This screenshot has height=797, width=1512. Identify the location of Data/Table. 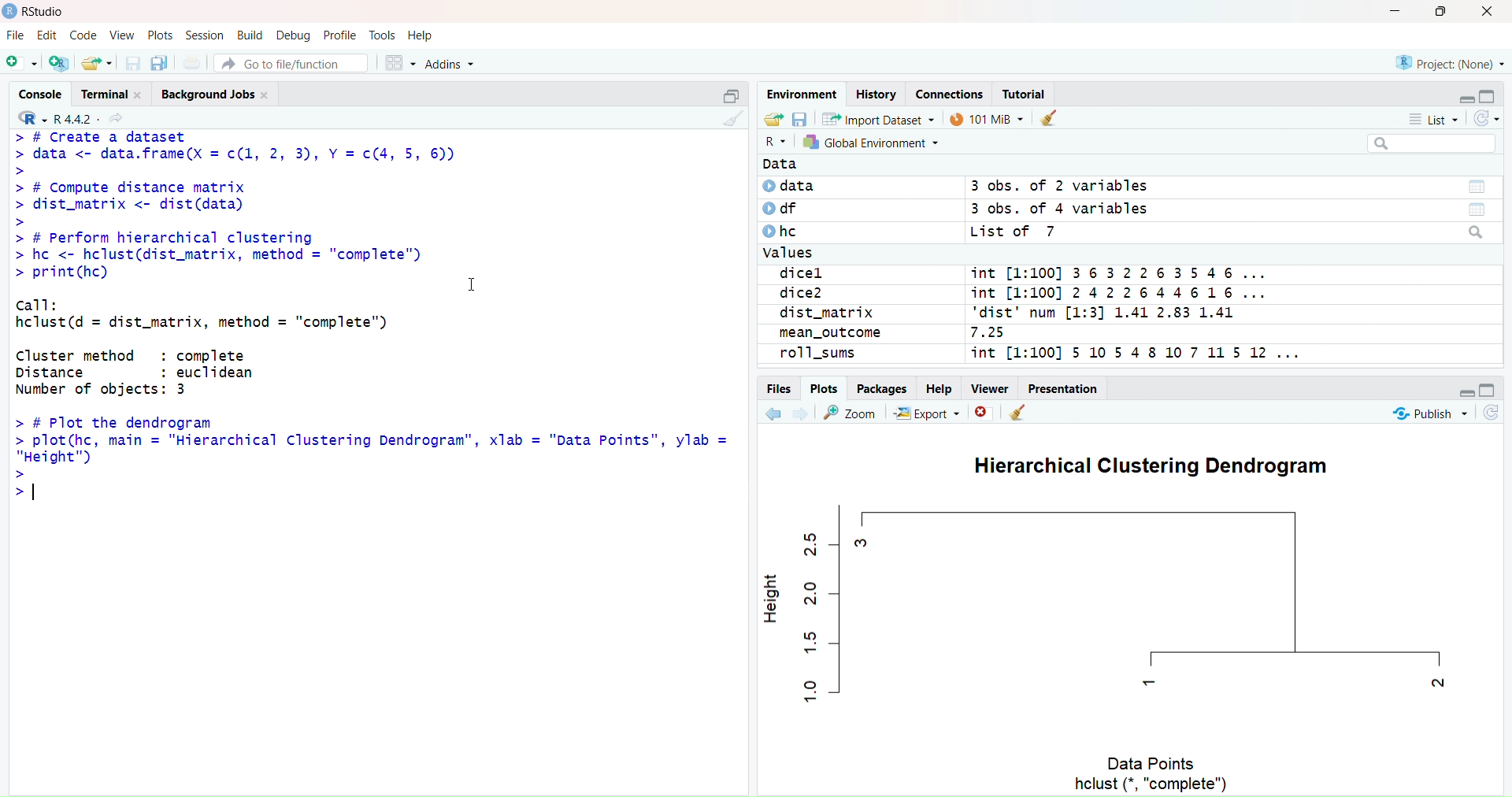
(1479, 211).